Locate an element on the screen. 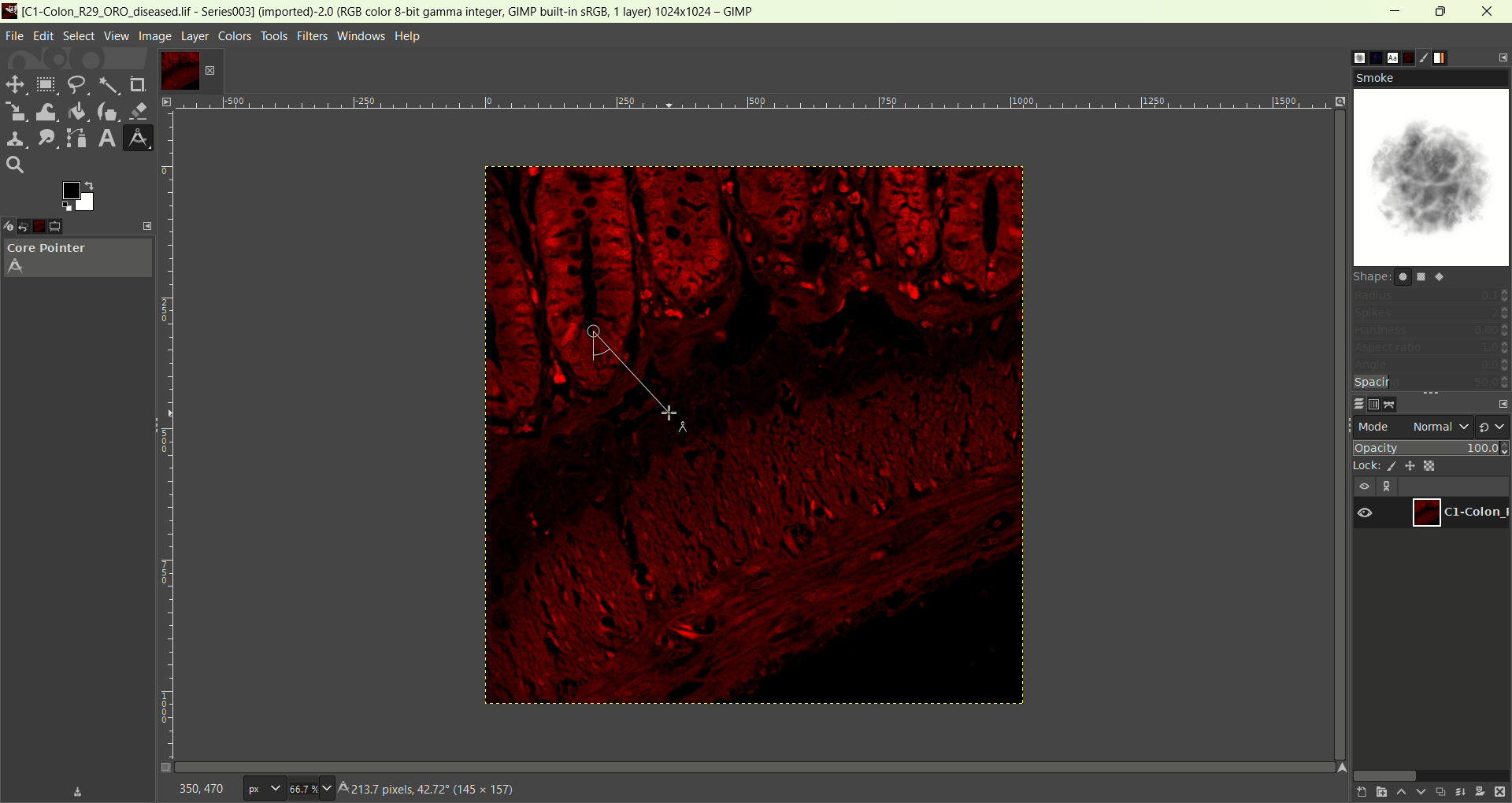 This screenshot has width=1512, height=803. lock position and size is located at coordinates (1409, 465).